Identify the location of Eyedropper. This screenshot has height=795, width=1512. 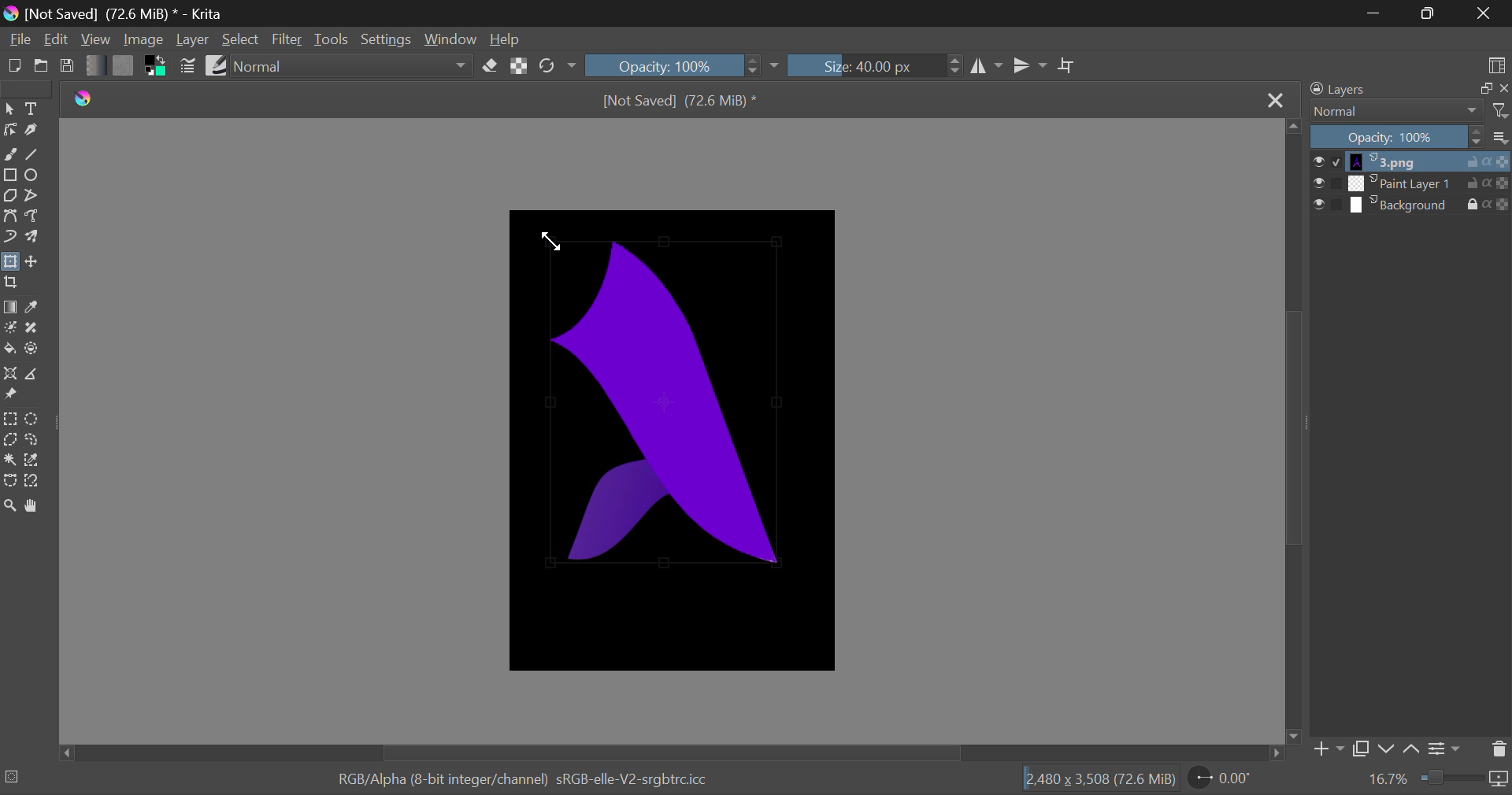
(36, 309).